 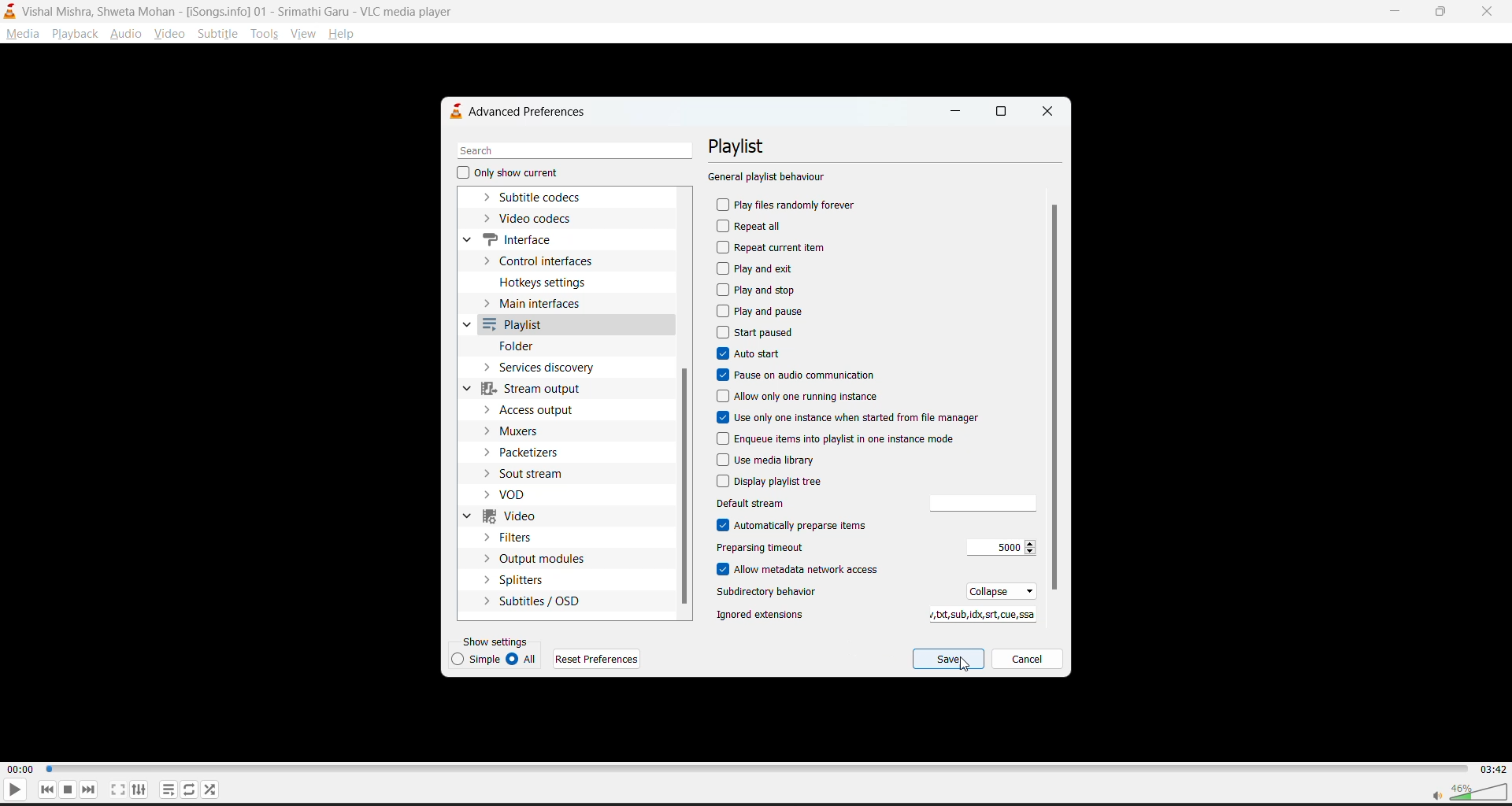 What do you see at coordinates (539, 220) in the screenshot?
I see `video codecs` at bounding box center [539, 220].